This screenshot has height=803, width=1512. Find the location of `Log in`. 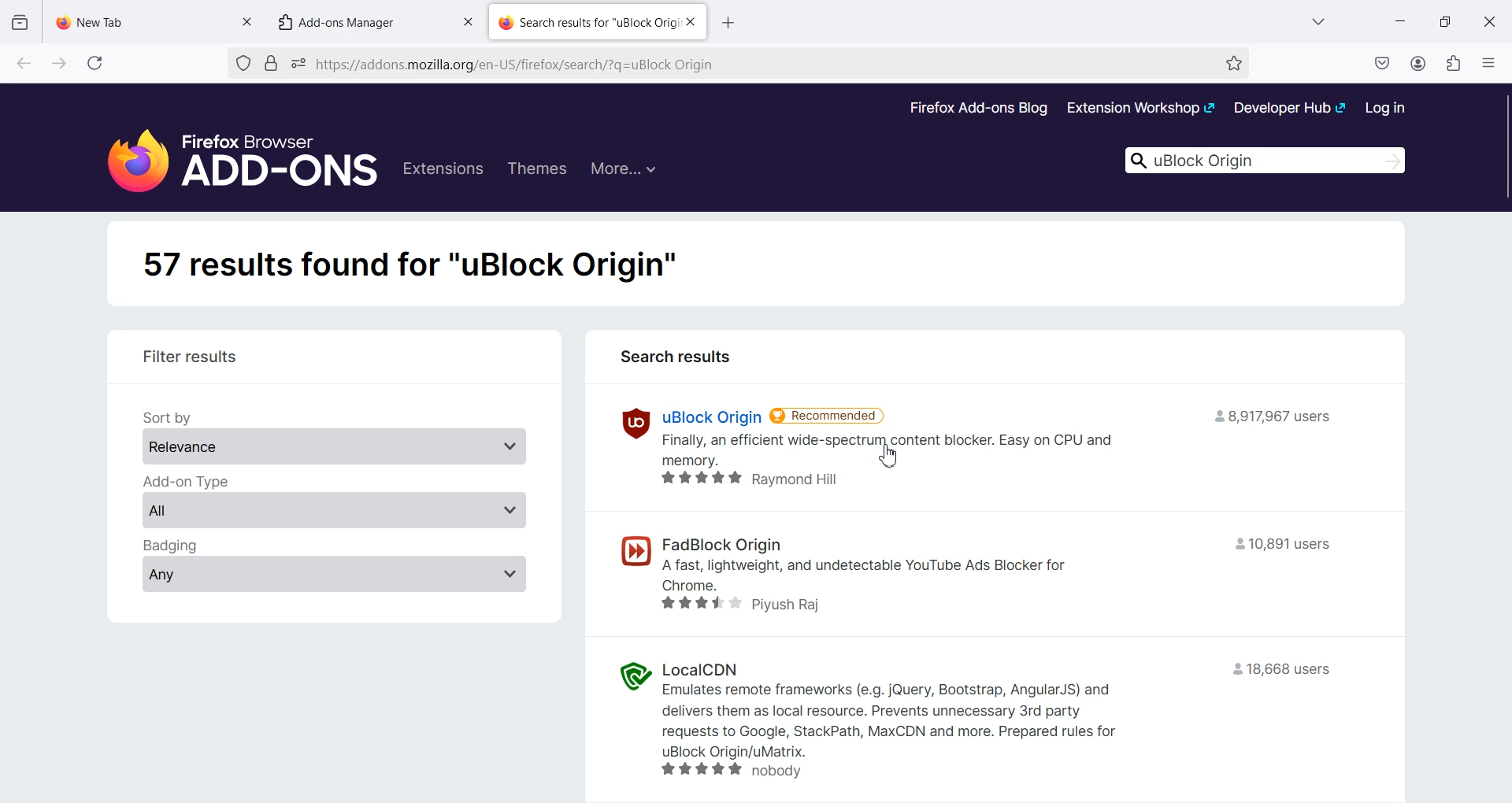

Log in is located at coordinates (1386, 107).